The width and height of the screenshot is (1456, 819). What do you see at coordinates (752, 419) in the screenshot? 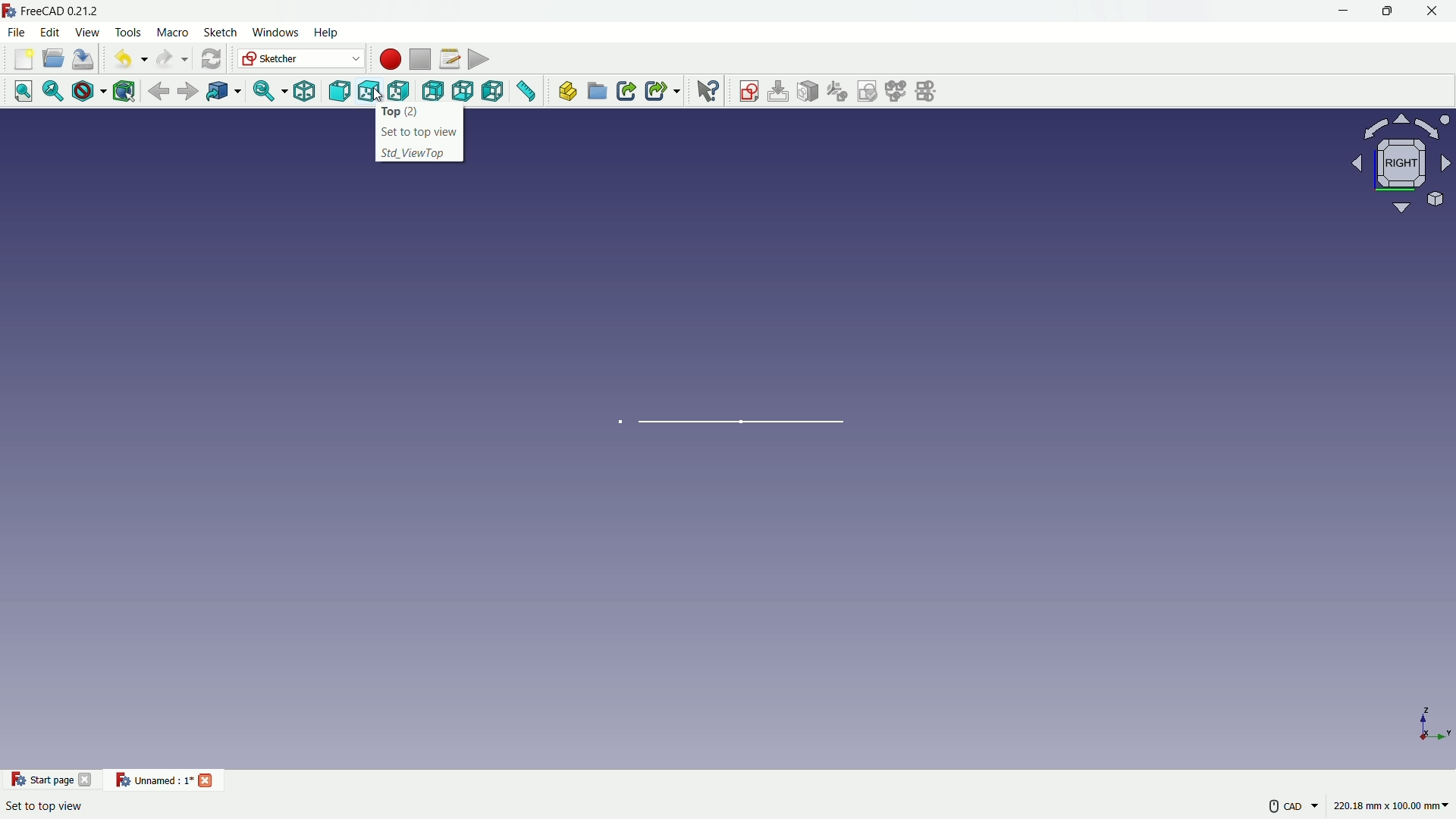
I see `sketch` at bounding box center [752, 419].